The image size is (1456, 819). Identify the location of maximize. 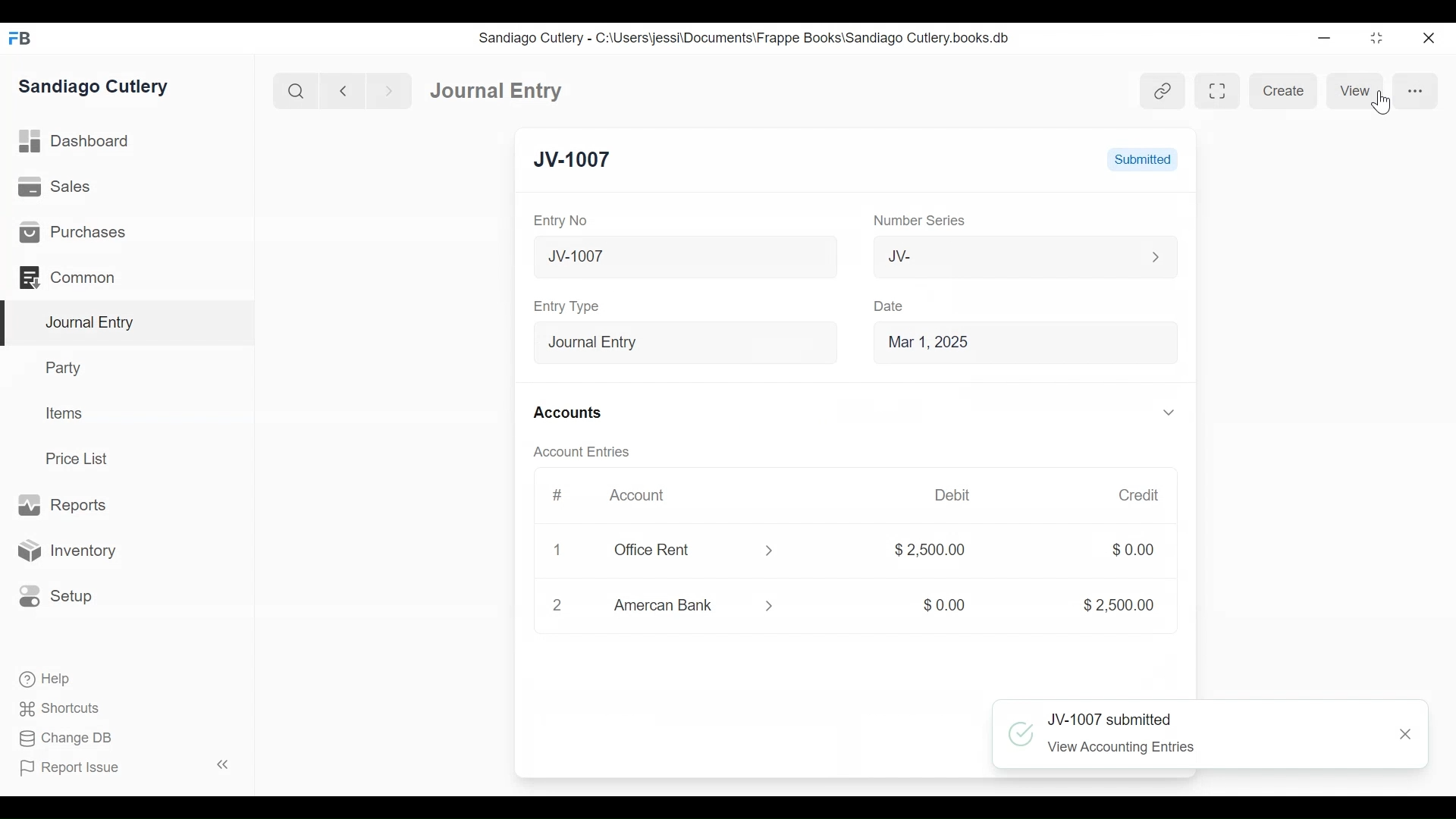
(1378, 37).